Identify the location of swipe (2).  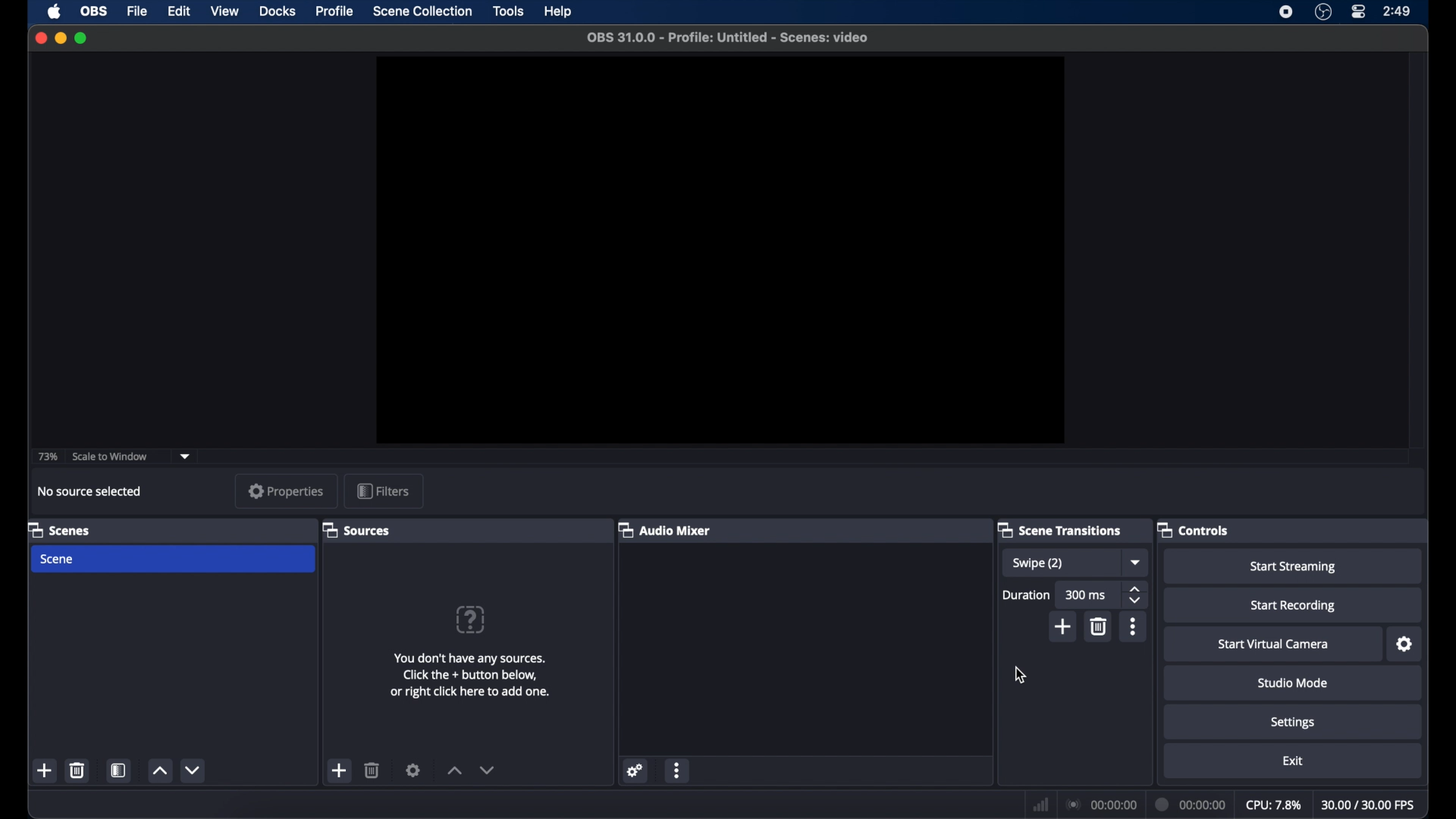
(1038, 565).